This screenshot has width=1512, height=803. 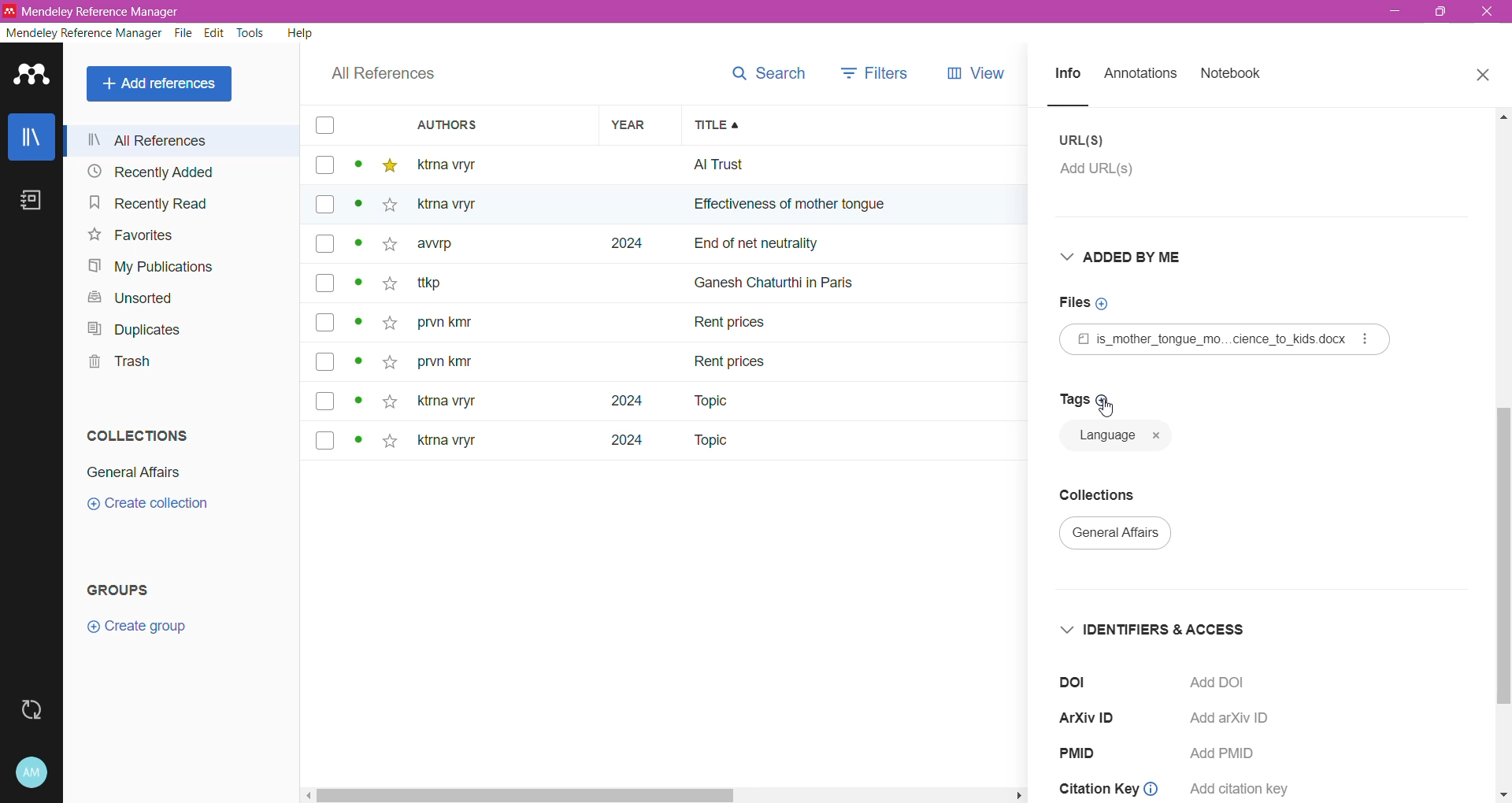 I want to click on effectiveness of mother ton, so click(x=770, y=208).